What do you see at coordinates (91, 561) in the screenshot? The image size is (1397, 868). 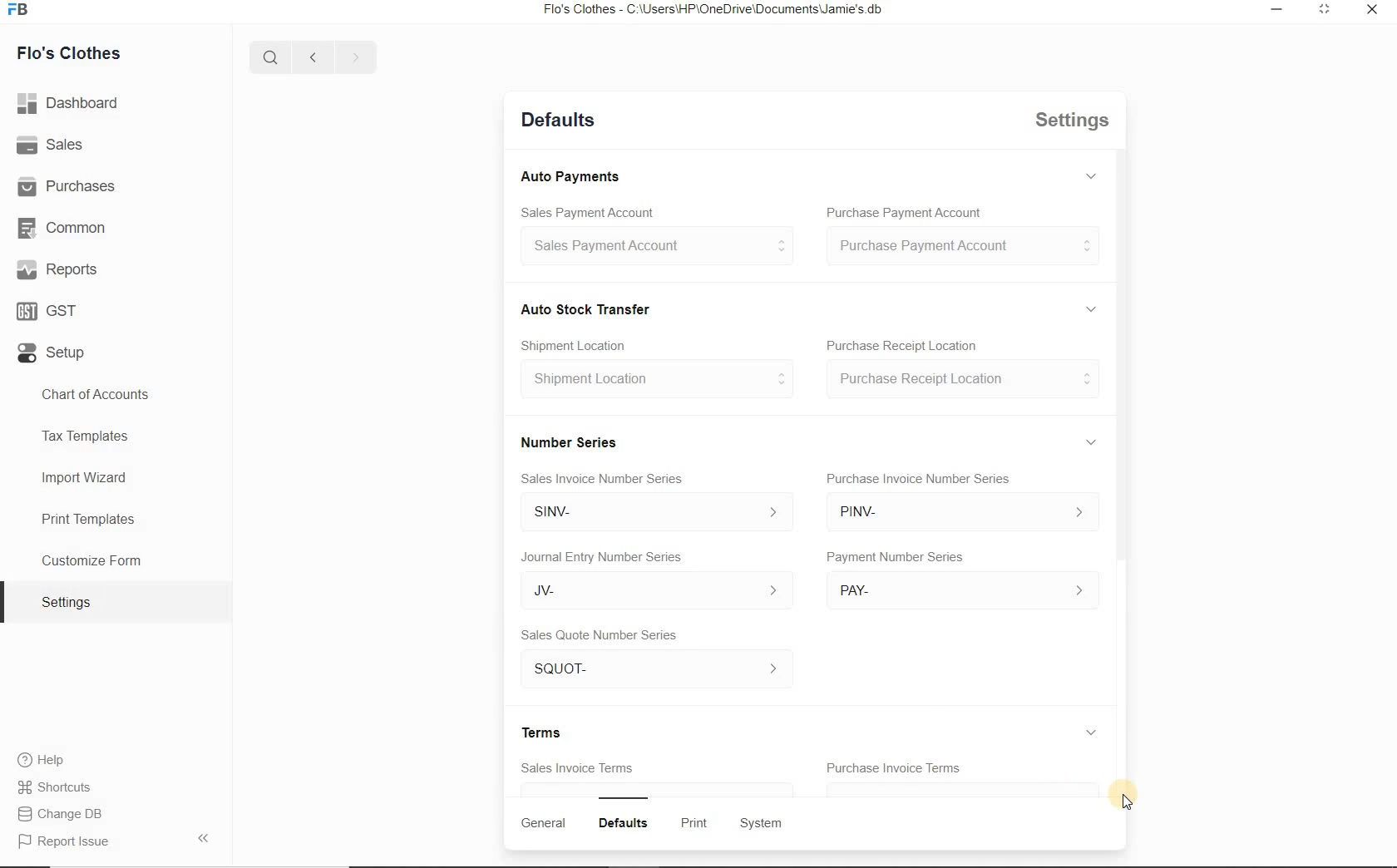 I see `Customize Form` at bounding box center [91, 561].